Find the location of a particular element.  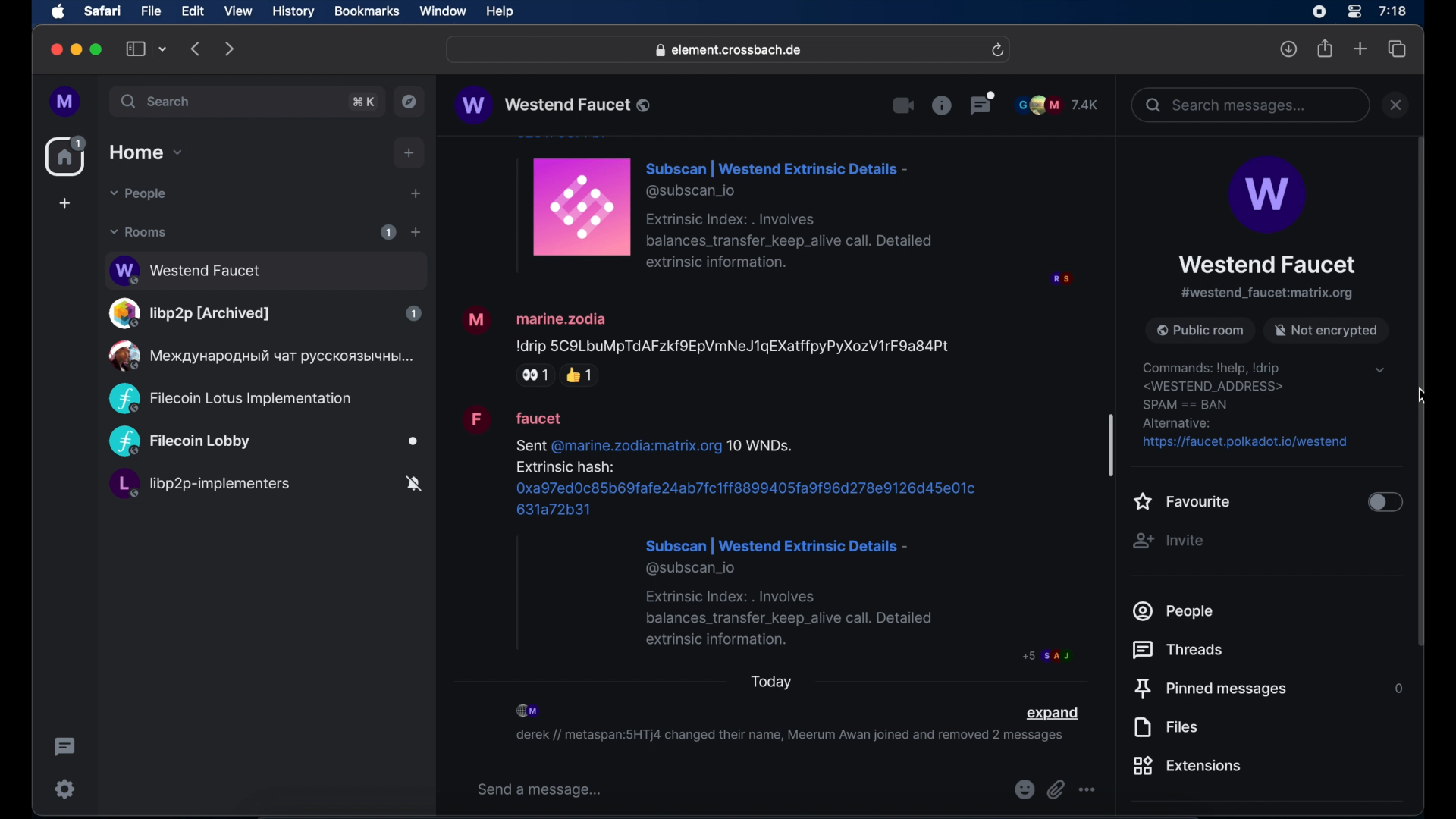

downloads is located at coordinates (1289, 49).